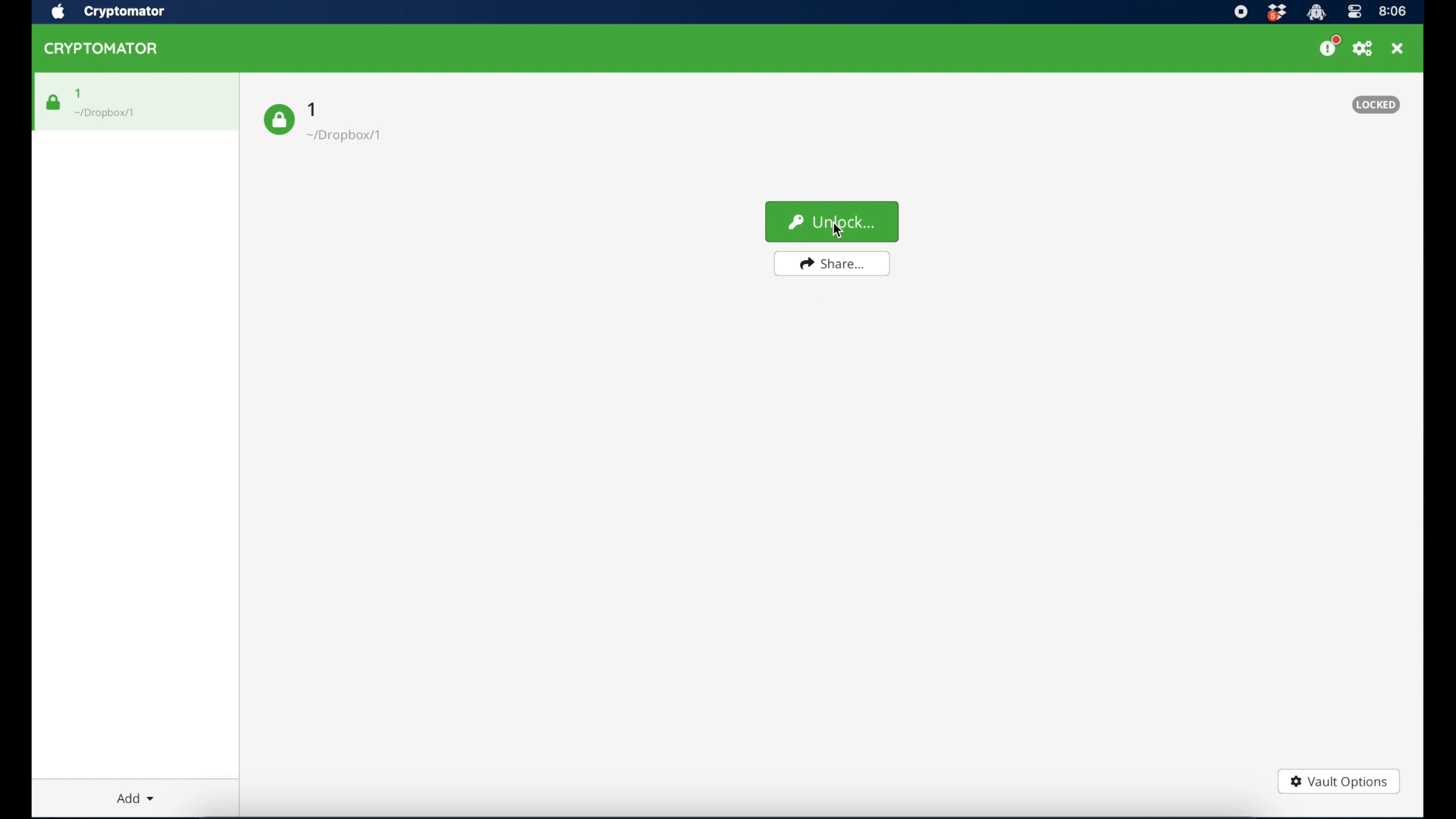 The height and width of the screenshot is (819, 1456). What do you see at coordinates (836, 236) in the screenshot?
I see `cursor` at bounding box center [836, 236].